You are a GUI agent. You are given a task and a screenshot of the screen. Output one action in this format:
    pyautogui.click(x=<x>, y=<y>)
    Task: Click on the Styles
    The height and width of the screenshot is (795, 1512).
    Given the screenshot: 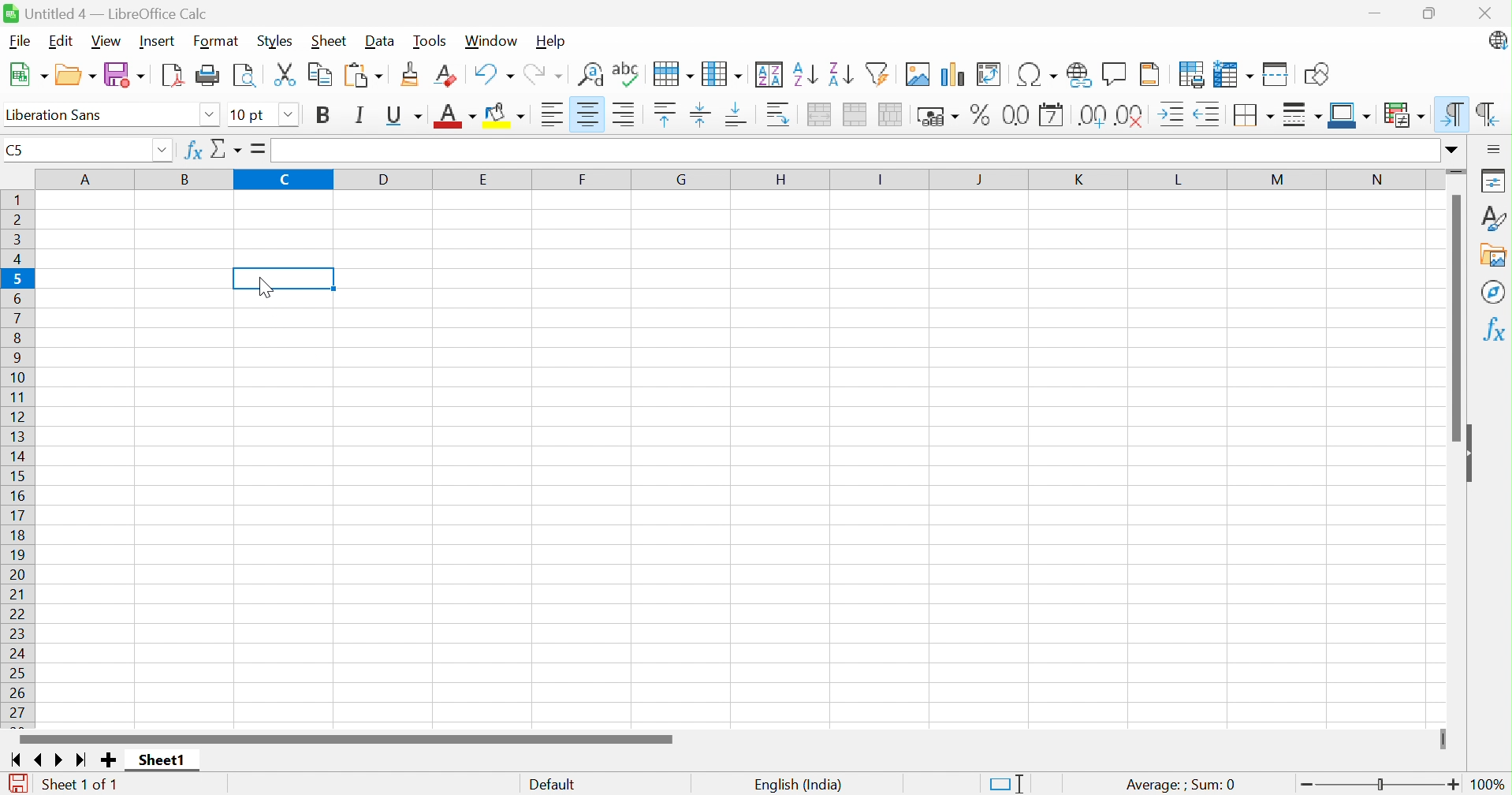 What is the action you would take?
    pyautogui.click(x=275, y=42)
    